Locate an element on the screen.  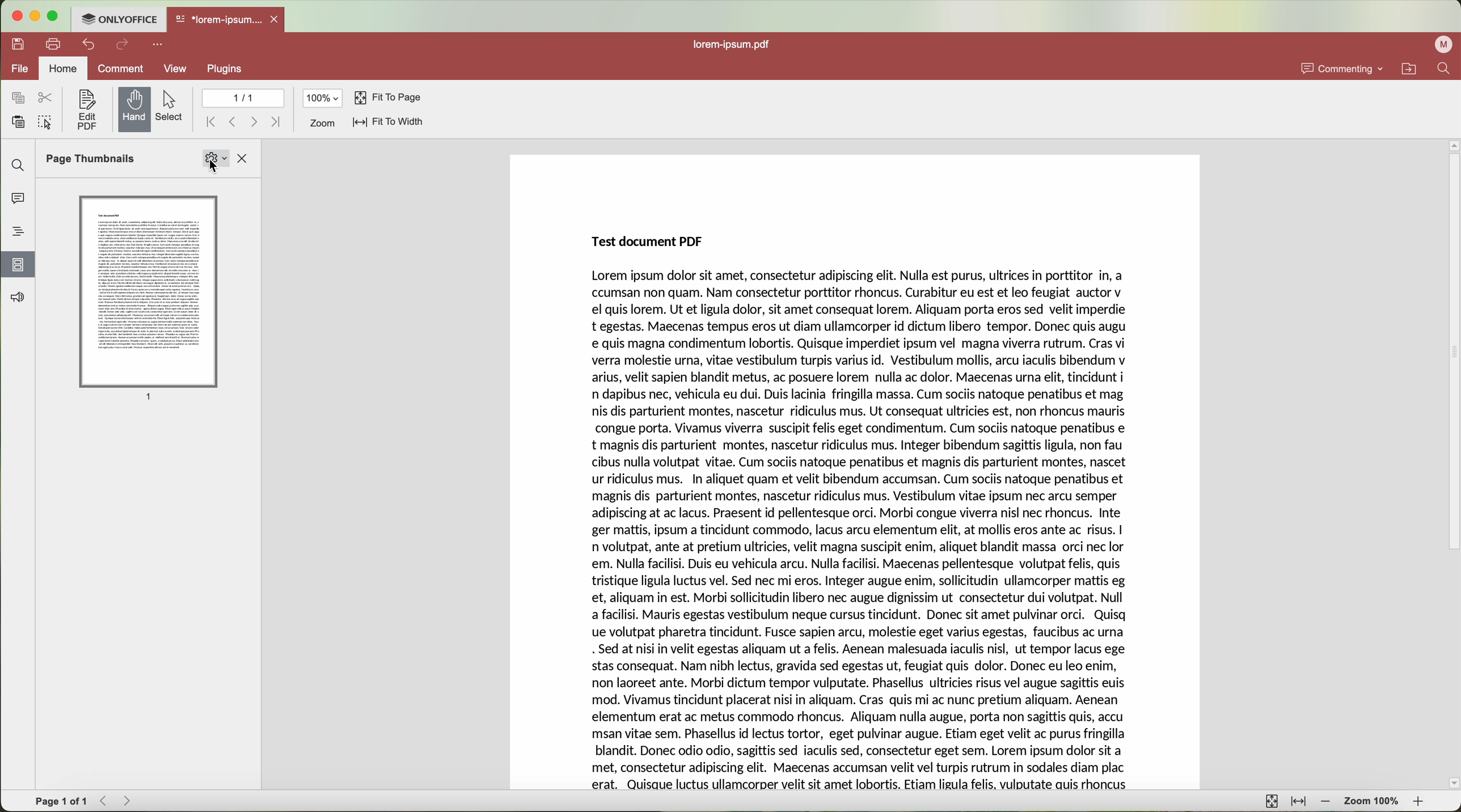
1/1 is located at coordinates (242, 98).